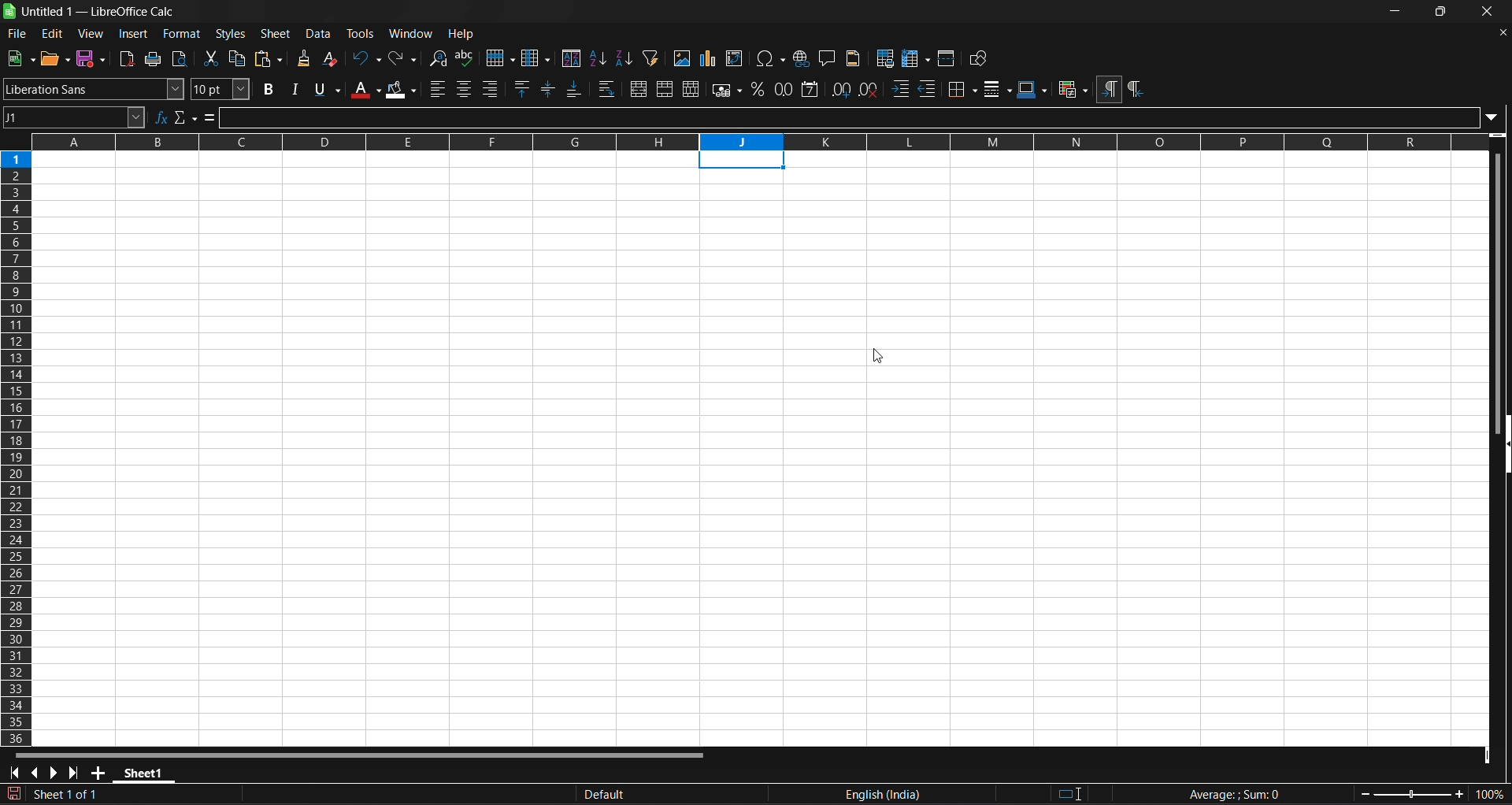 The image size is (1512, 805). I want to click on zoom factor, so click(1427, 793).